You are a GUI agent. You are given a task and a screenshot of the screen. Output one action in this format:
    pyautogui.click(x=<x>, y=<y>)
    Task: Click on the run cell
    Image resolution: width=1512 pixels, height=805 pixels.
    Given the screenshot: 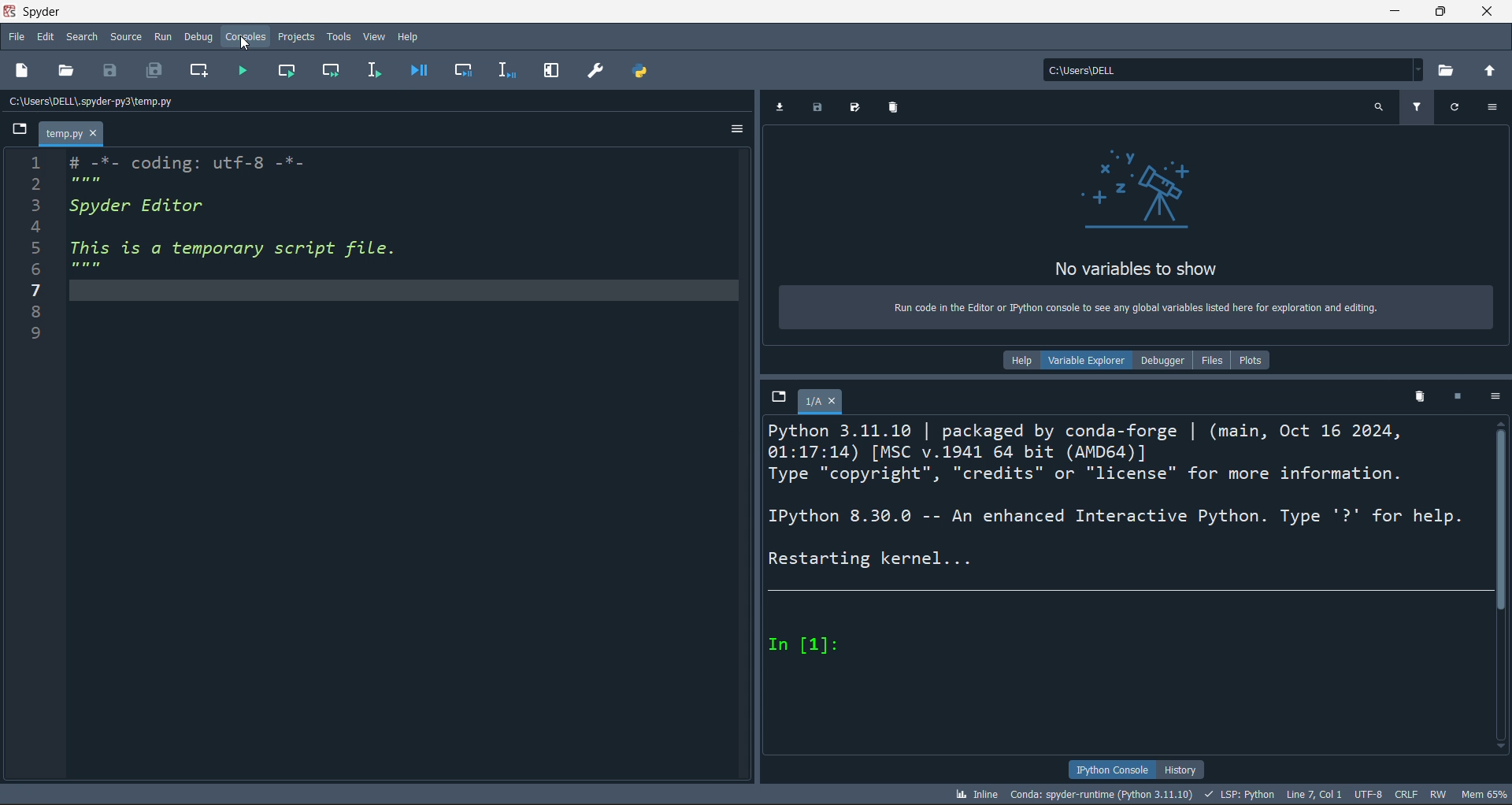 What is the action you would take?
    pyautogui.click(x=287, y=71)
    